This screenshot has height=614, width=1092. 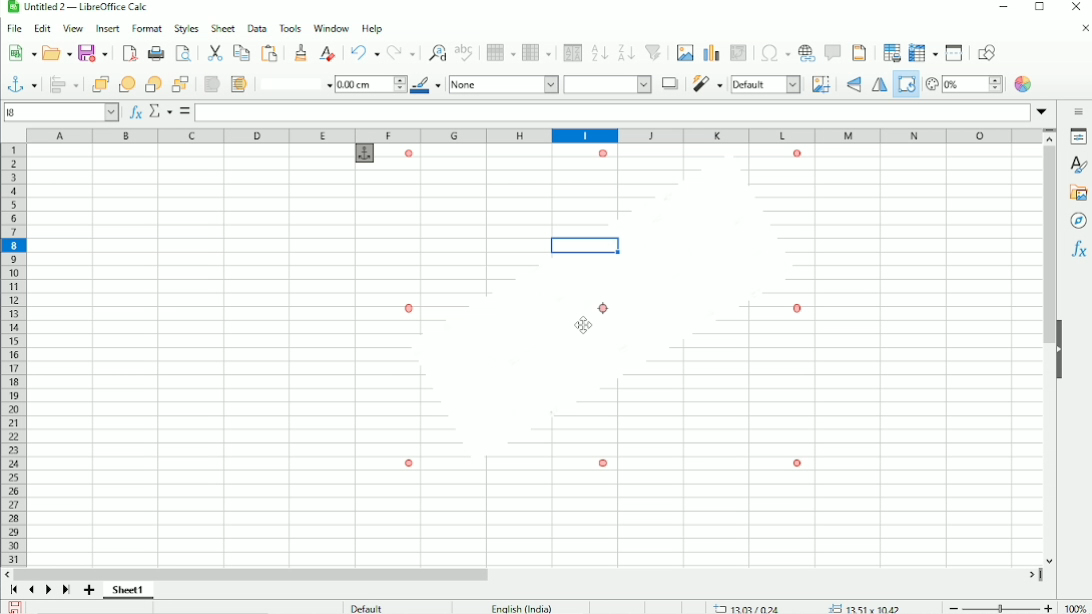 What do you see at coordinates (655, 53) in the screenshot?
I see `Autofilter` at bounding box center [655, 53].